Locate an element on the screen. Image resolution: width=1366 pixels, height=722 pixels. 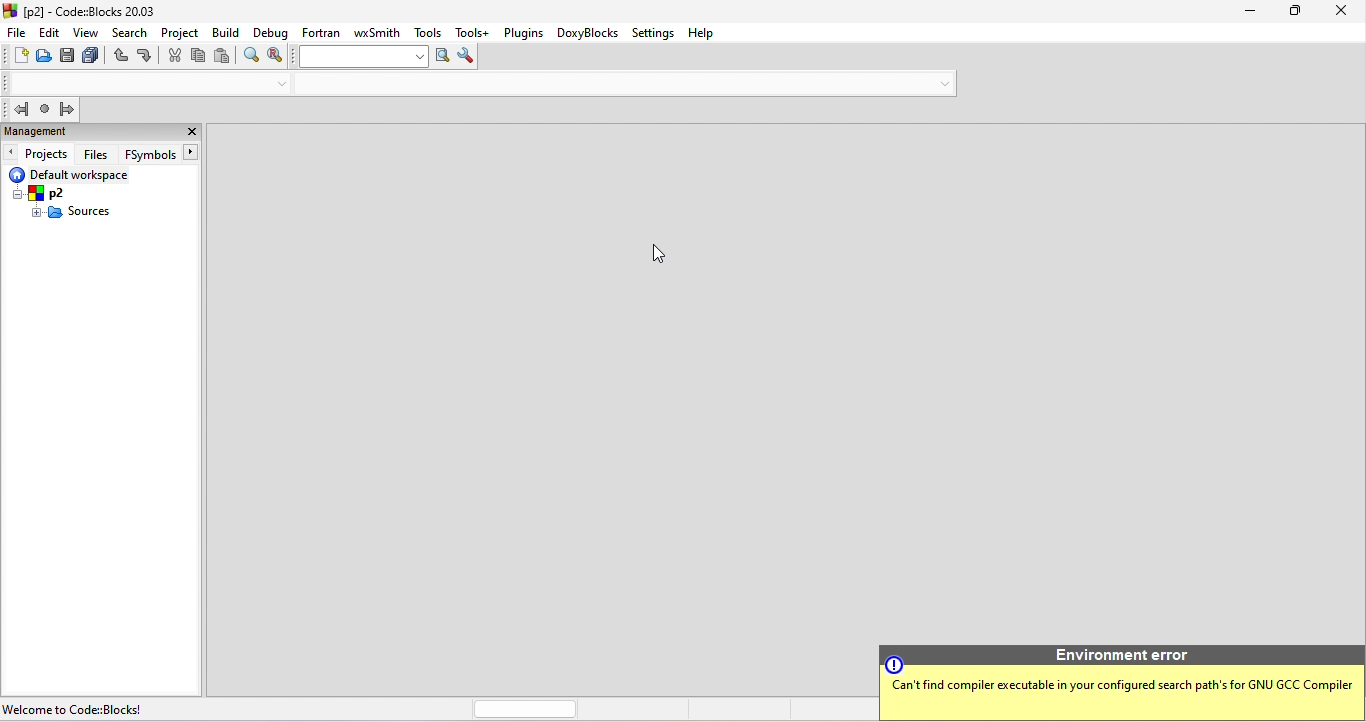
save everything is located at coordinates (95, 56).